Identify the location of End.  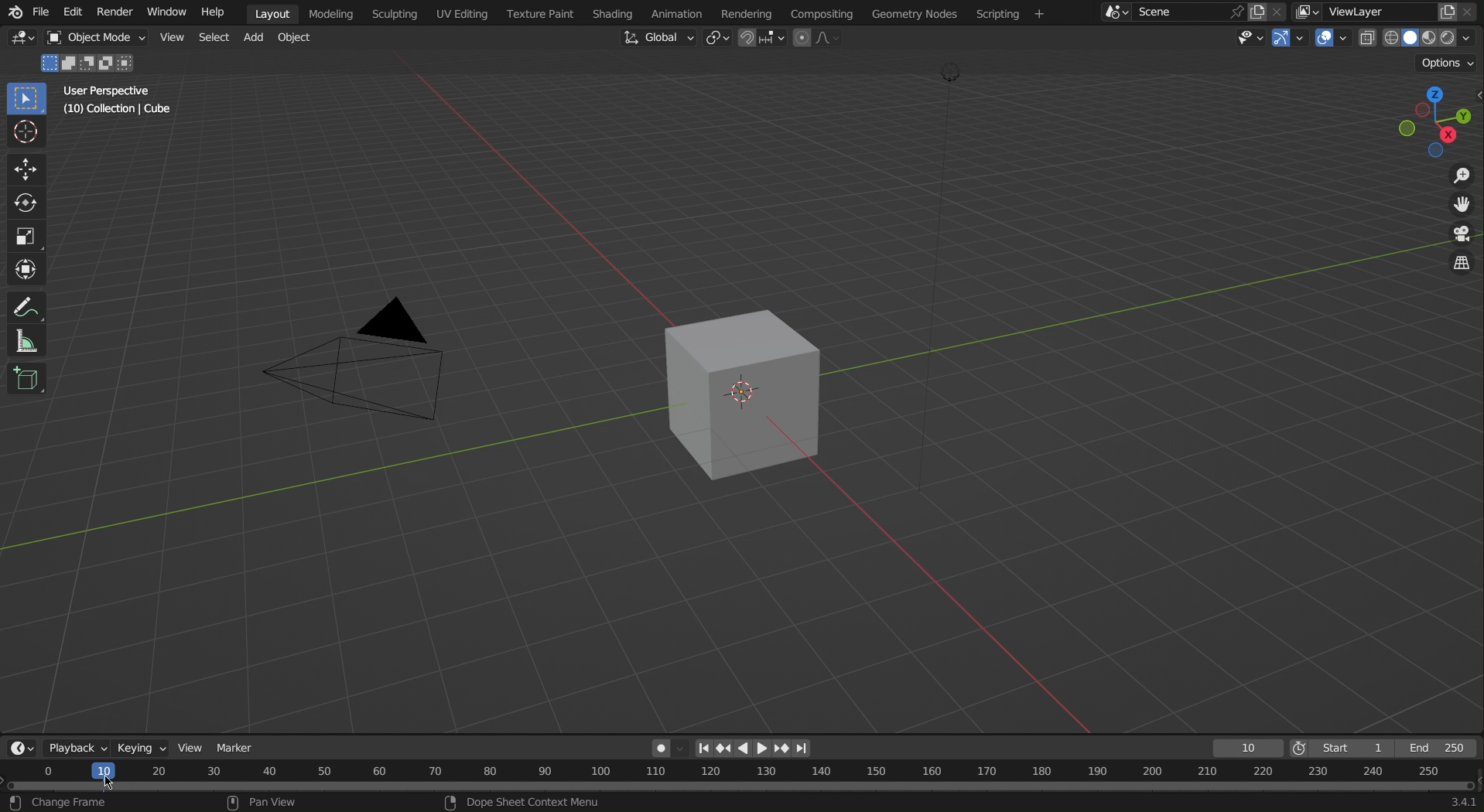
(1443, 748).